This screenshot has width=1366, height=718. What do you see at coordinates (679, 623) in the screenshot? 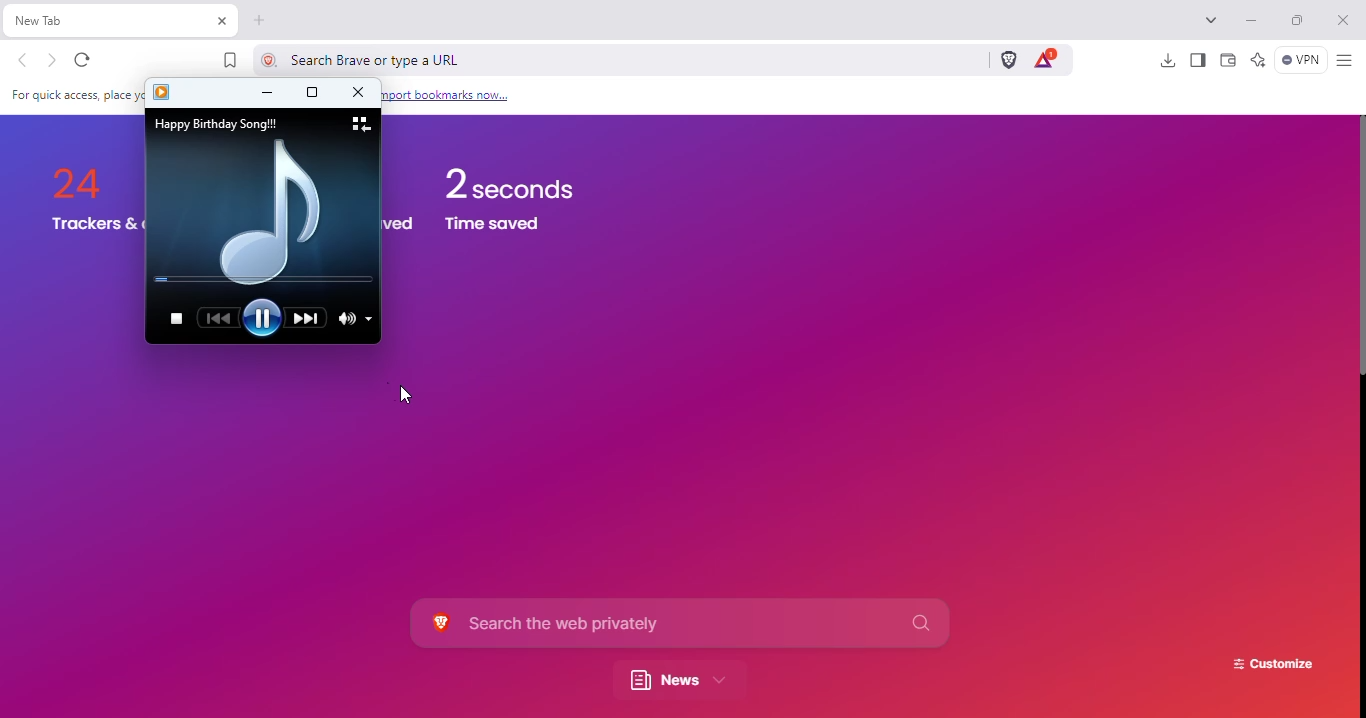
I see `search the web privately` at bounding box center [679, 623].